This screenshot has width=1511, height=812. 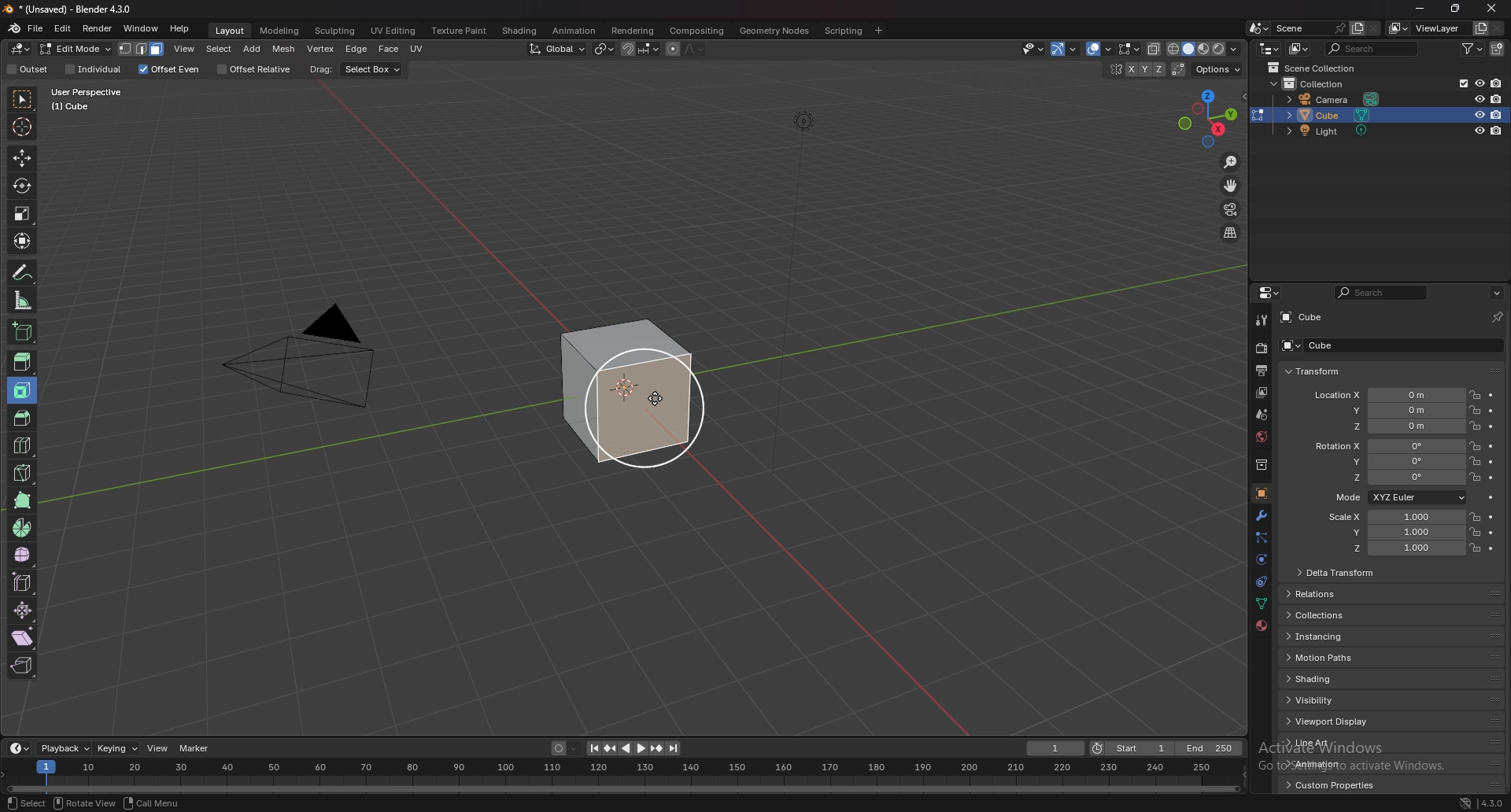 What do you see at coordinates (22, 186) in the screenshot?
I see `rotate` at bounding box center [22, 186].